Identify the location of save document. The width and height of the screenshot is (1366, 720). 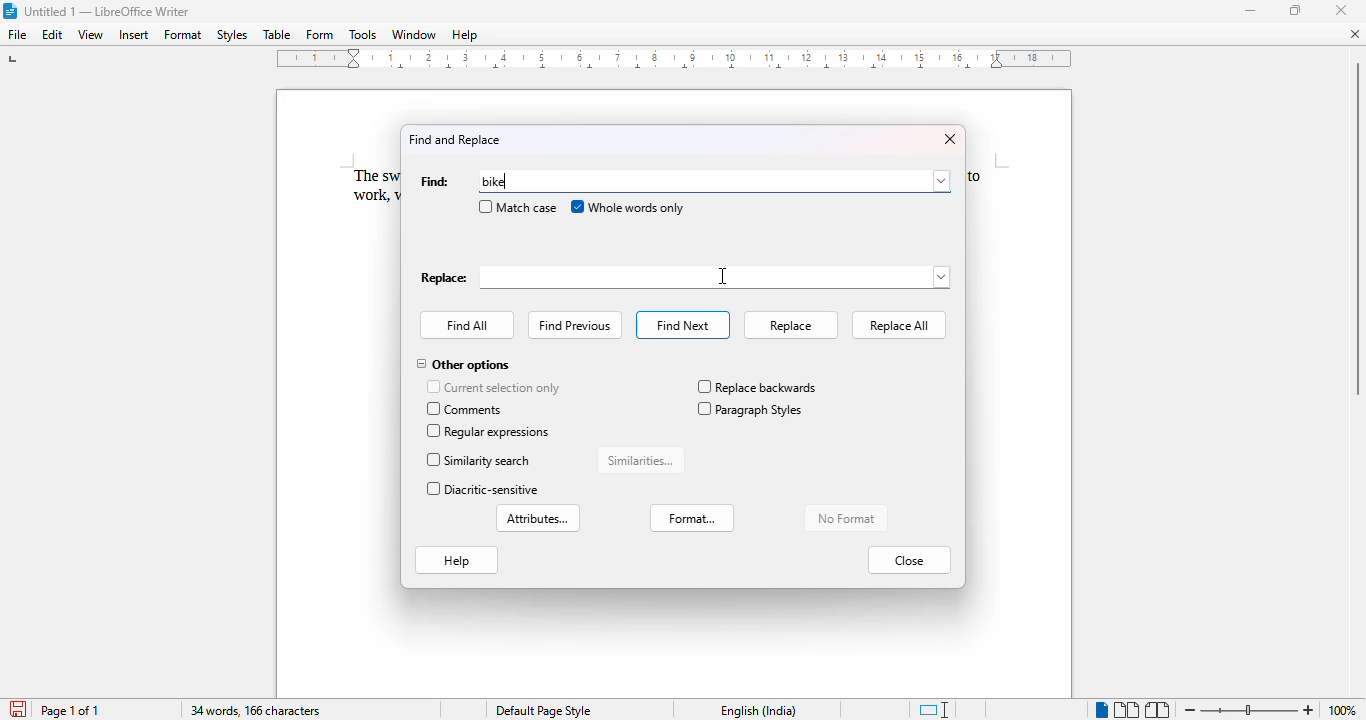
(16, 709).